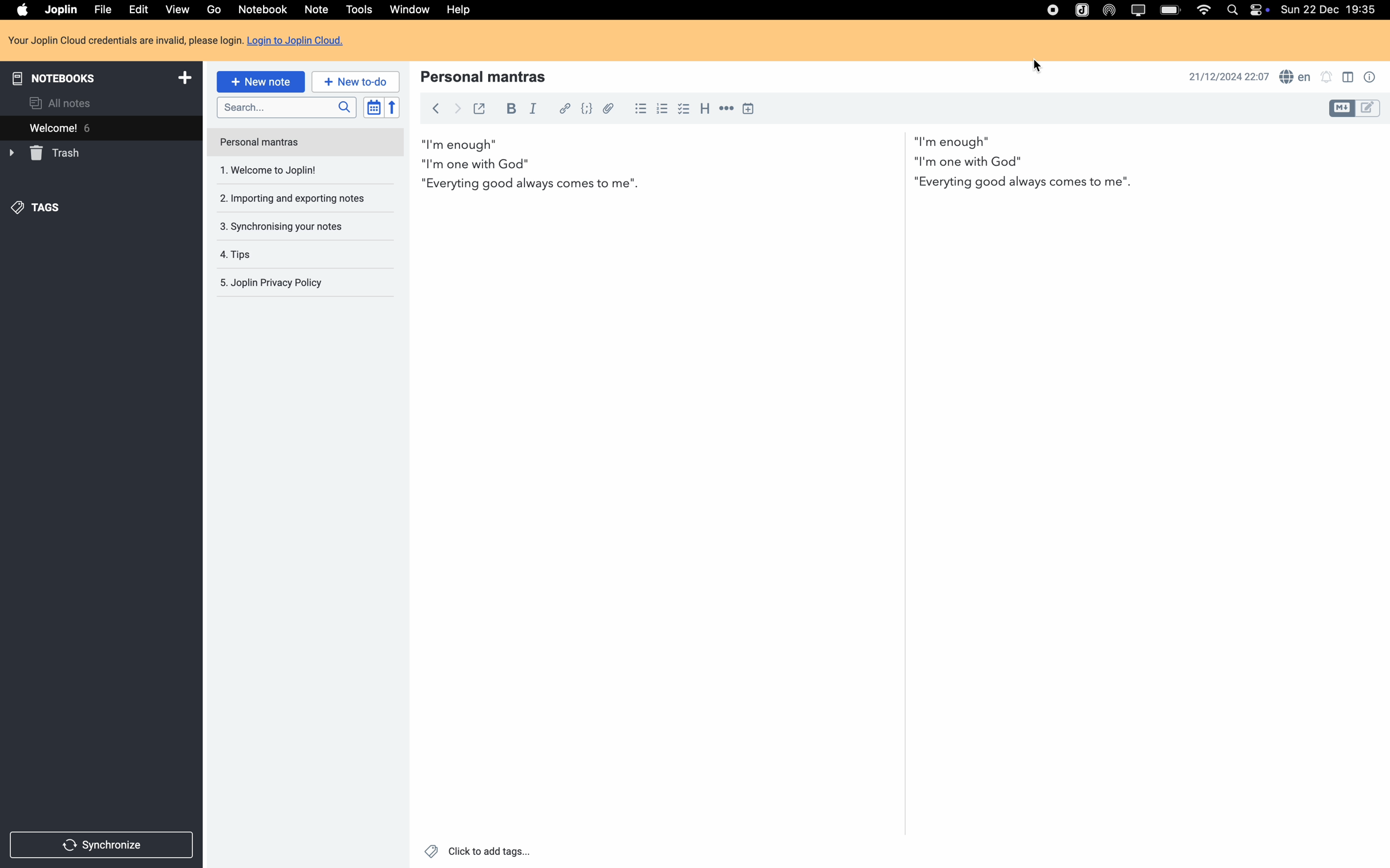 Image resolution: width=1390 pixels, height=868 pixels. What do you see at coordinates (1082, 10) in the screenshot?
I see `Joplin icon` at bounding box center [1082, 10].